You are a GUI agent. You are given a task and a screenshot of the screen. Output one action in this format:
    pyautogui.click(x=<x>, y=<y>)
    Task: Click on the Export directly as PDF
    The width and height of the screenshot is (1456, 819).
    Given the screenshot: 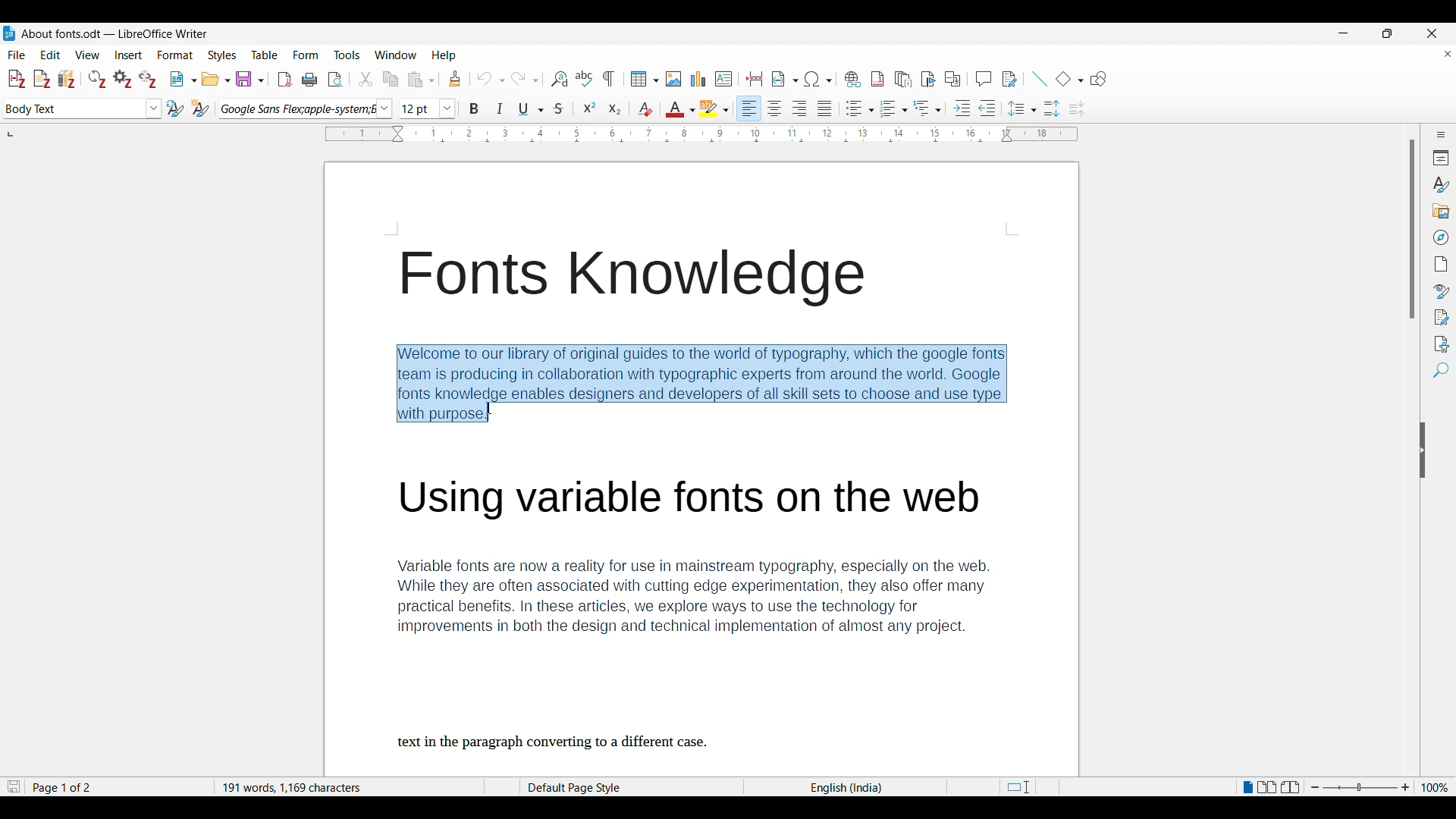 What is the action you would take?
    pyautogui.click(x=286, y=80)
    